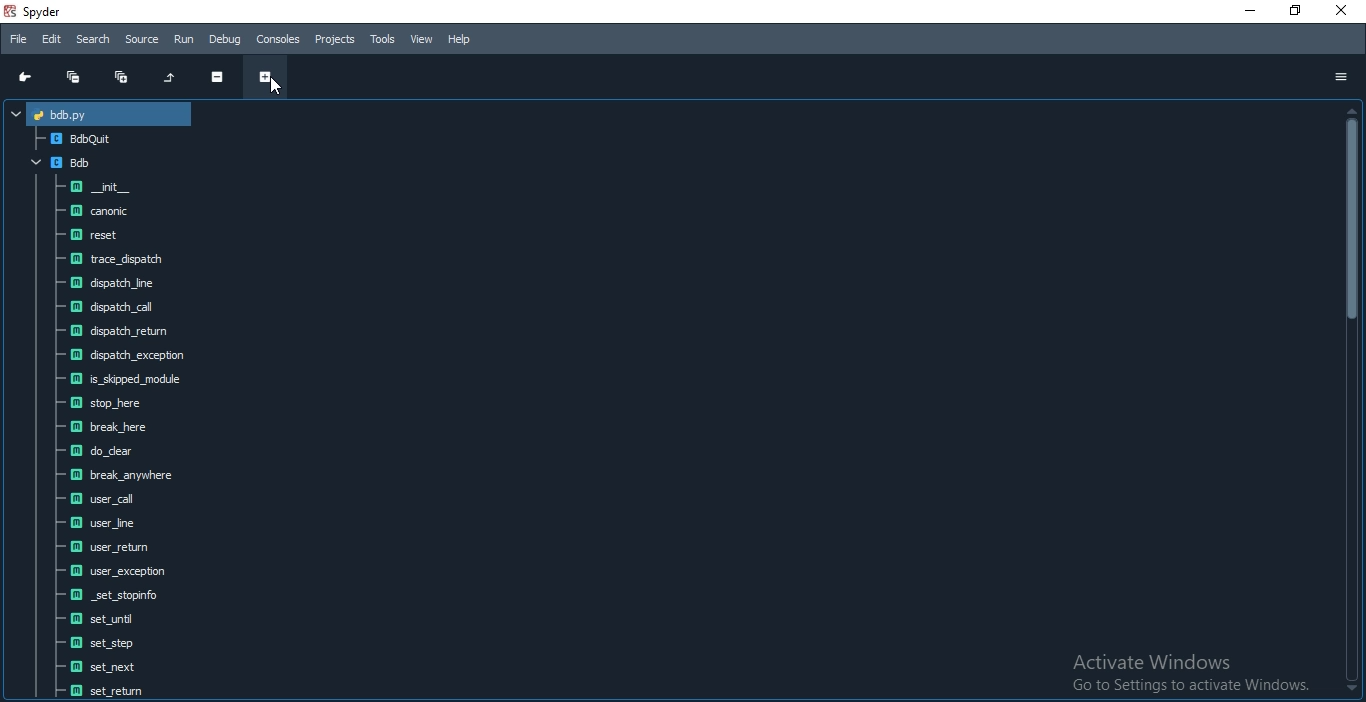 This screenshot has height=702, width=1366. Describe the element at coordinates (1352, 401) in the screenshot. I see `scroll bar` at that location.